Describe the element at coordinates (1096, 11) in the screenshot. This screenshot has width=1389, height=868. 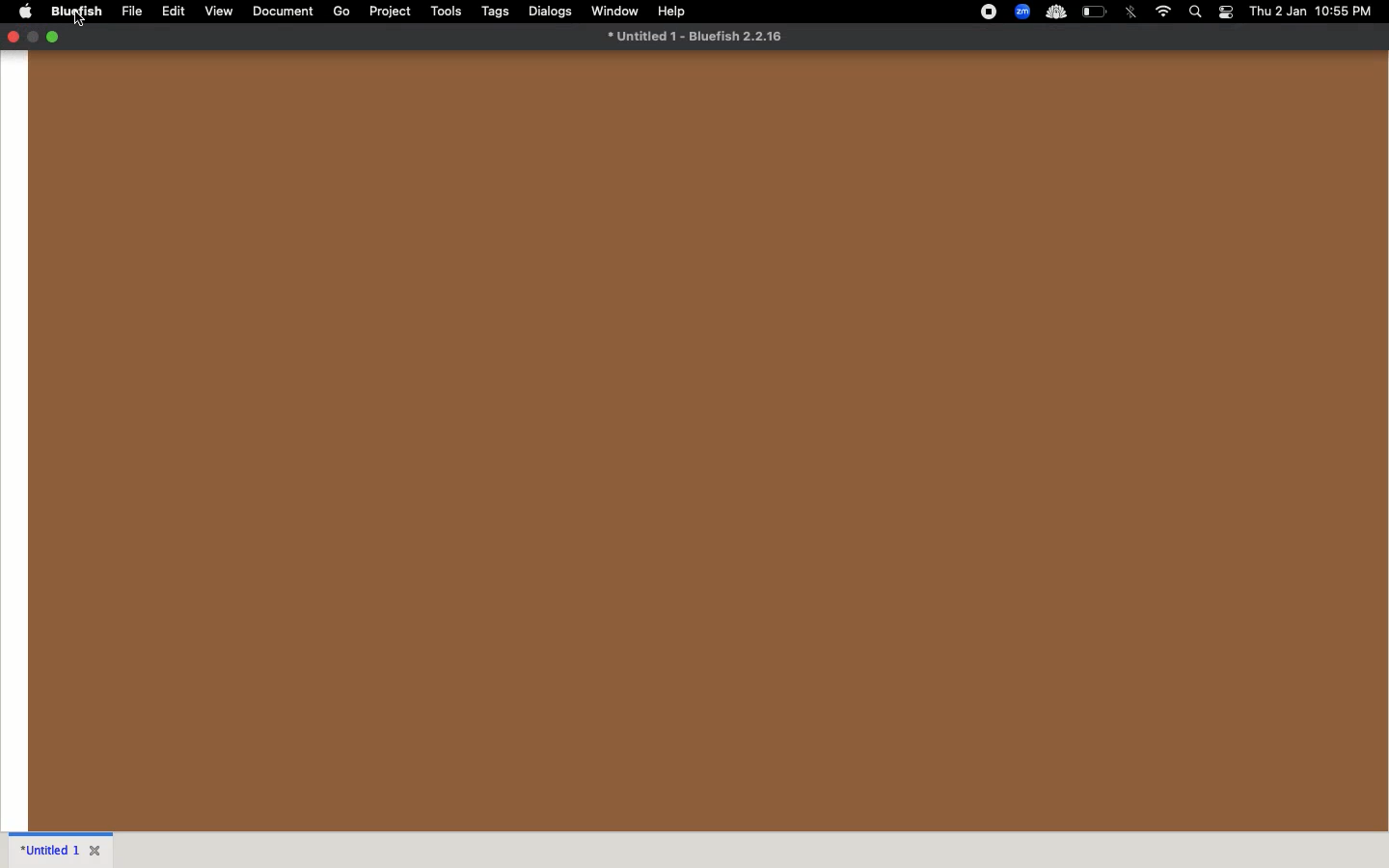
I see `charge` at that location.